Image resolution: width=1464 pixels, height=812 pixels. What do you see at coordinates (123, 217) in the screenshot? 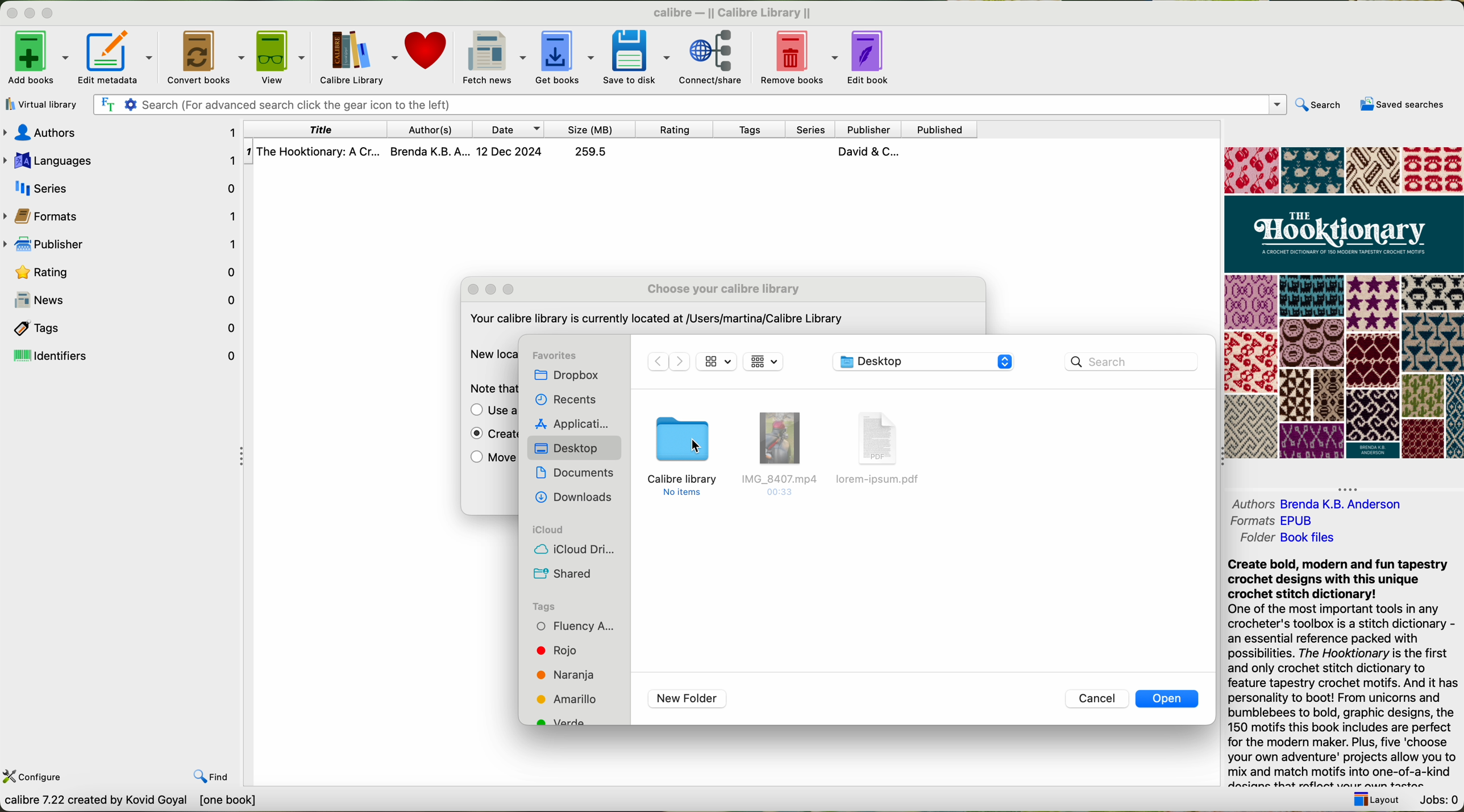
I see `formats` at bounding box center [123, 217].